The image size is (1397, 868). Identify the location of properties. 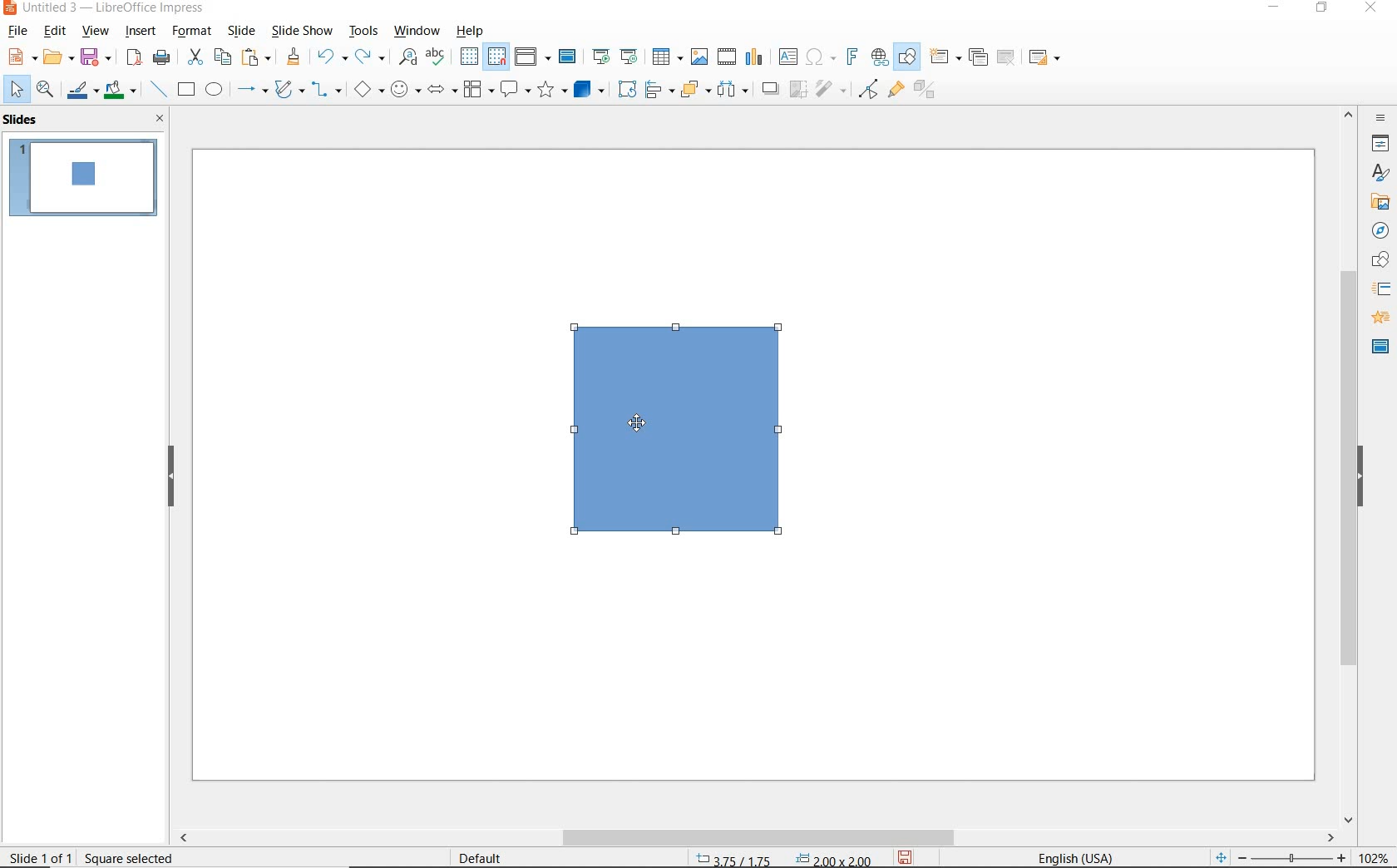
(1378, 145).